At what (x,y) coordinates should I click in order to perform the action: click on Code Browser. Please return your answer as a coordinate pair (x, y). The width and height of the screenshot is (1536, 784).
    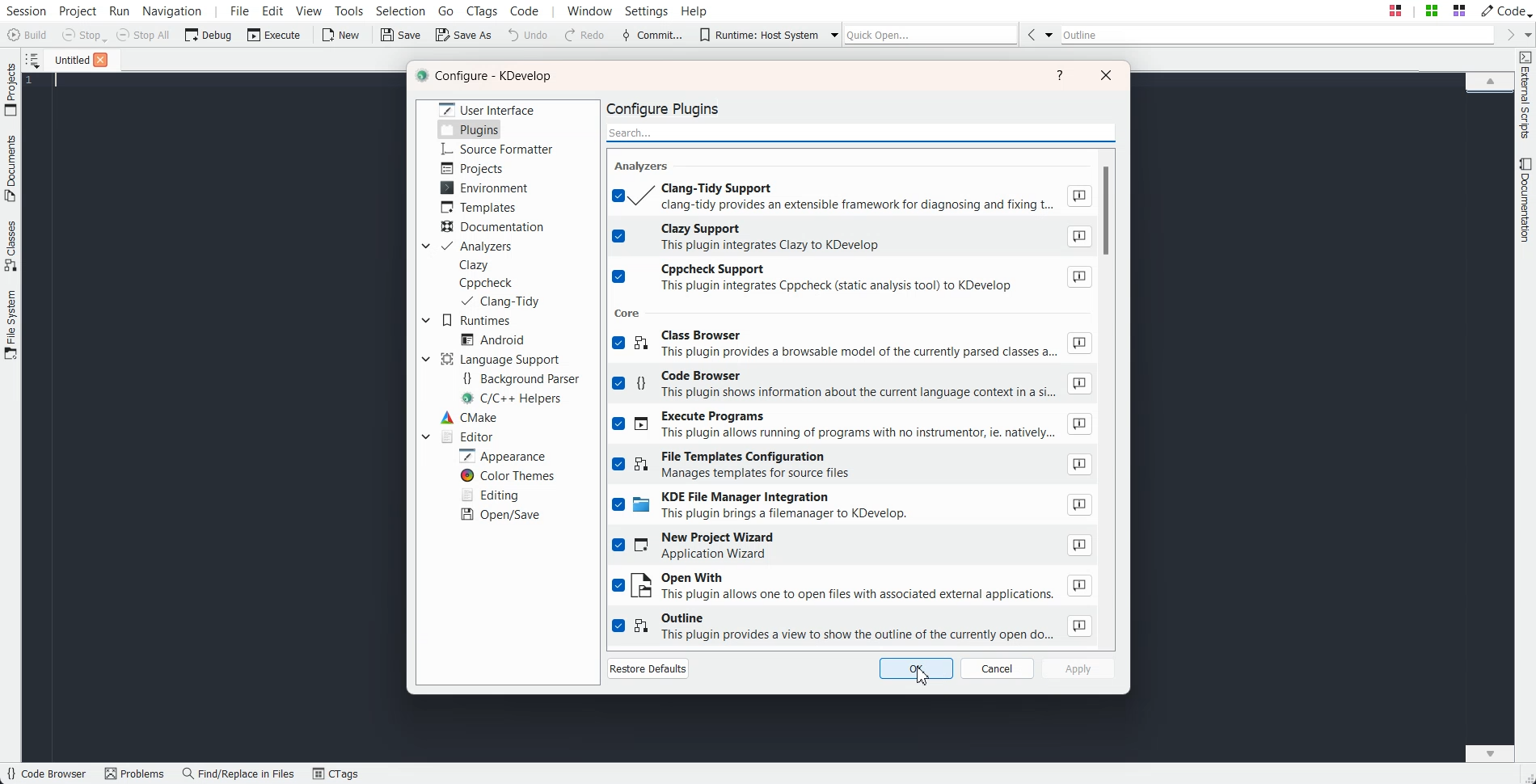
    Looking at the image, I should click on (46, 774).